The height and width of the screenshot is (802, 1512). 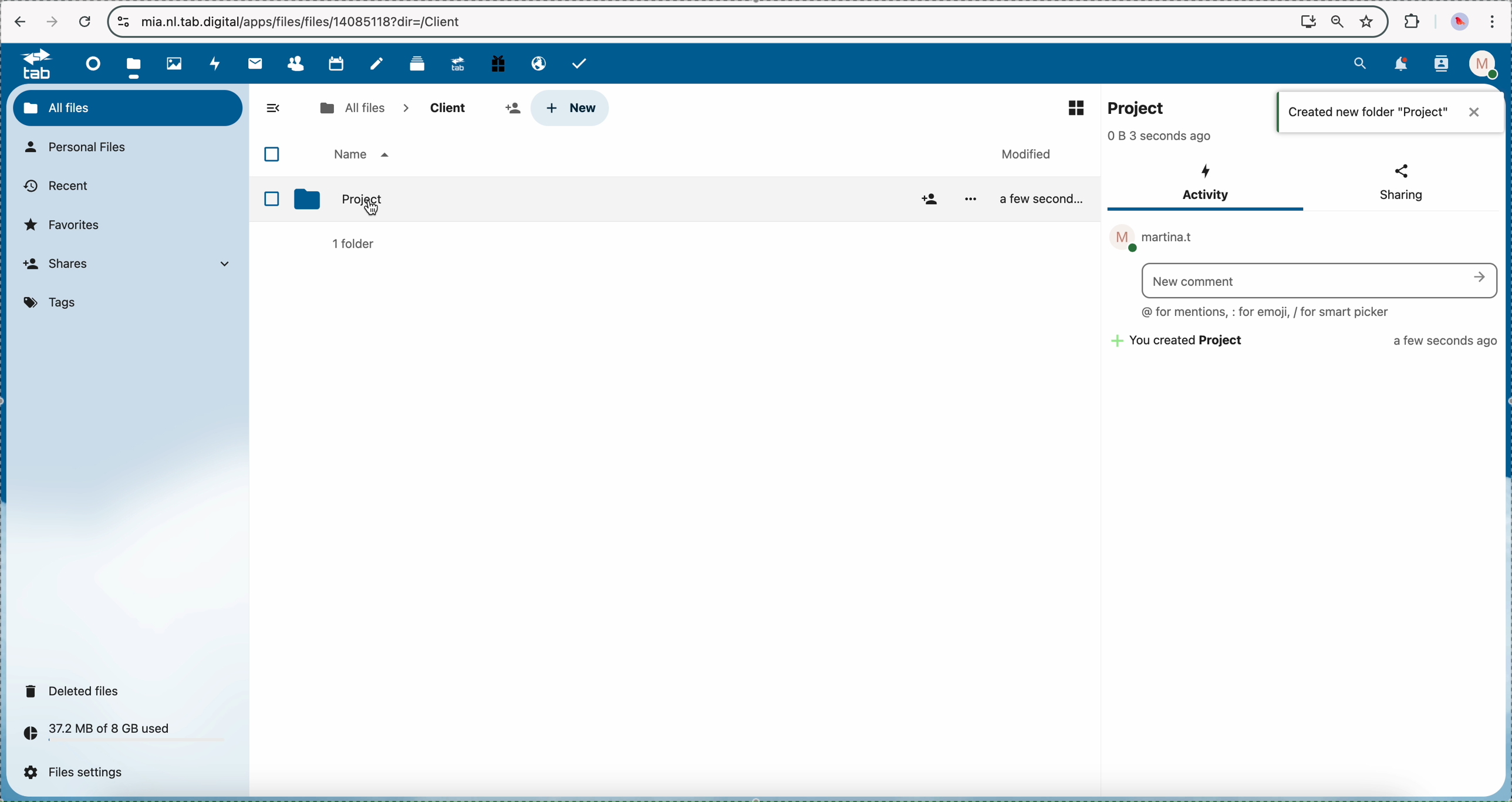 I want to click on favorites, so click(x=66, y=224).